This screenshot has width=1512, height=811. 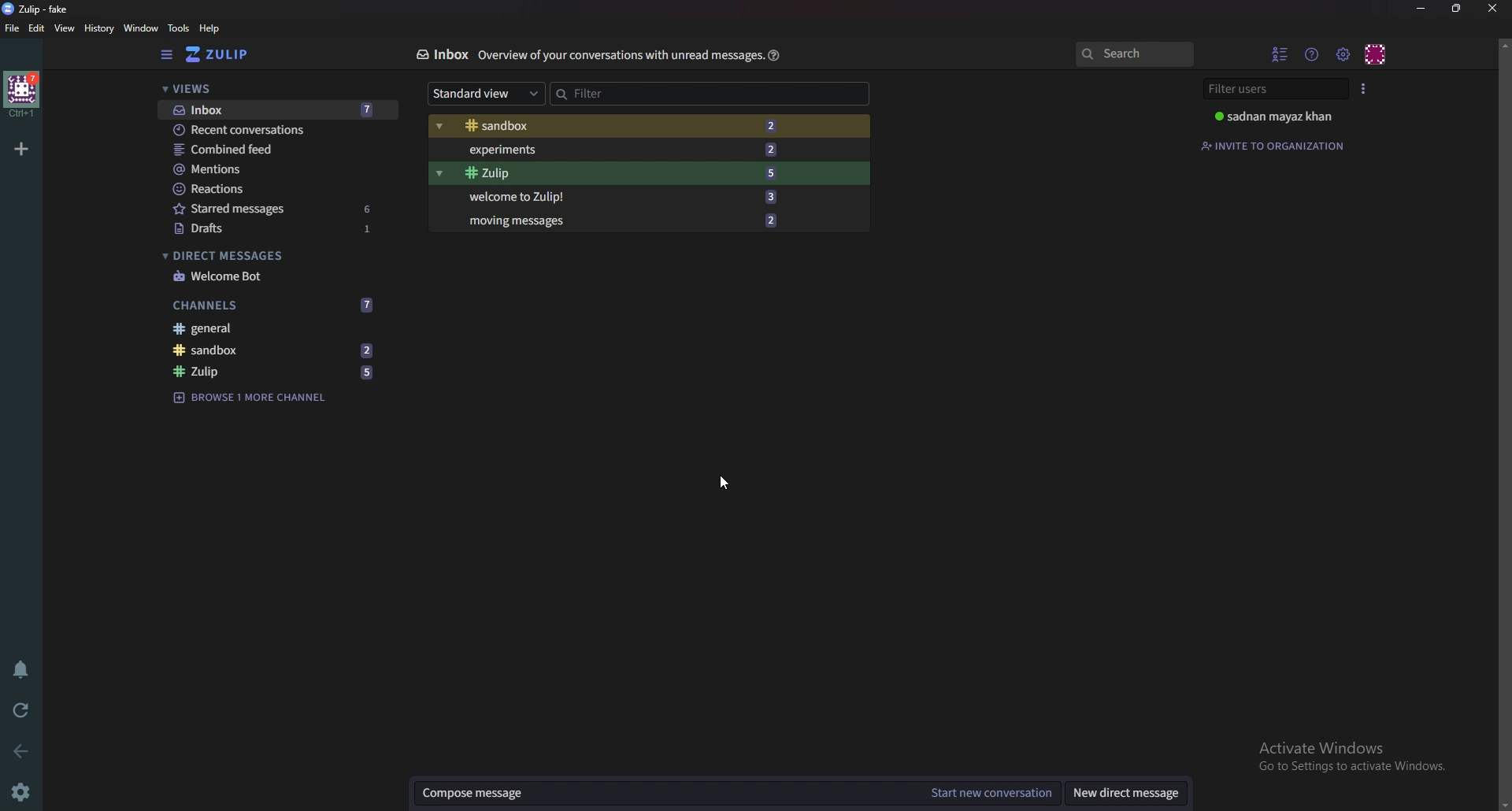 I want to click on Close, so click(x=1493, y=8).